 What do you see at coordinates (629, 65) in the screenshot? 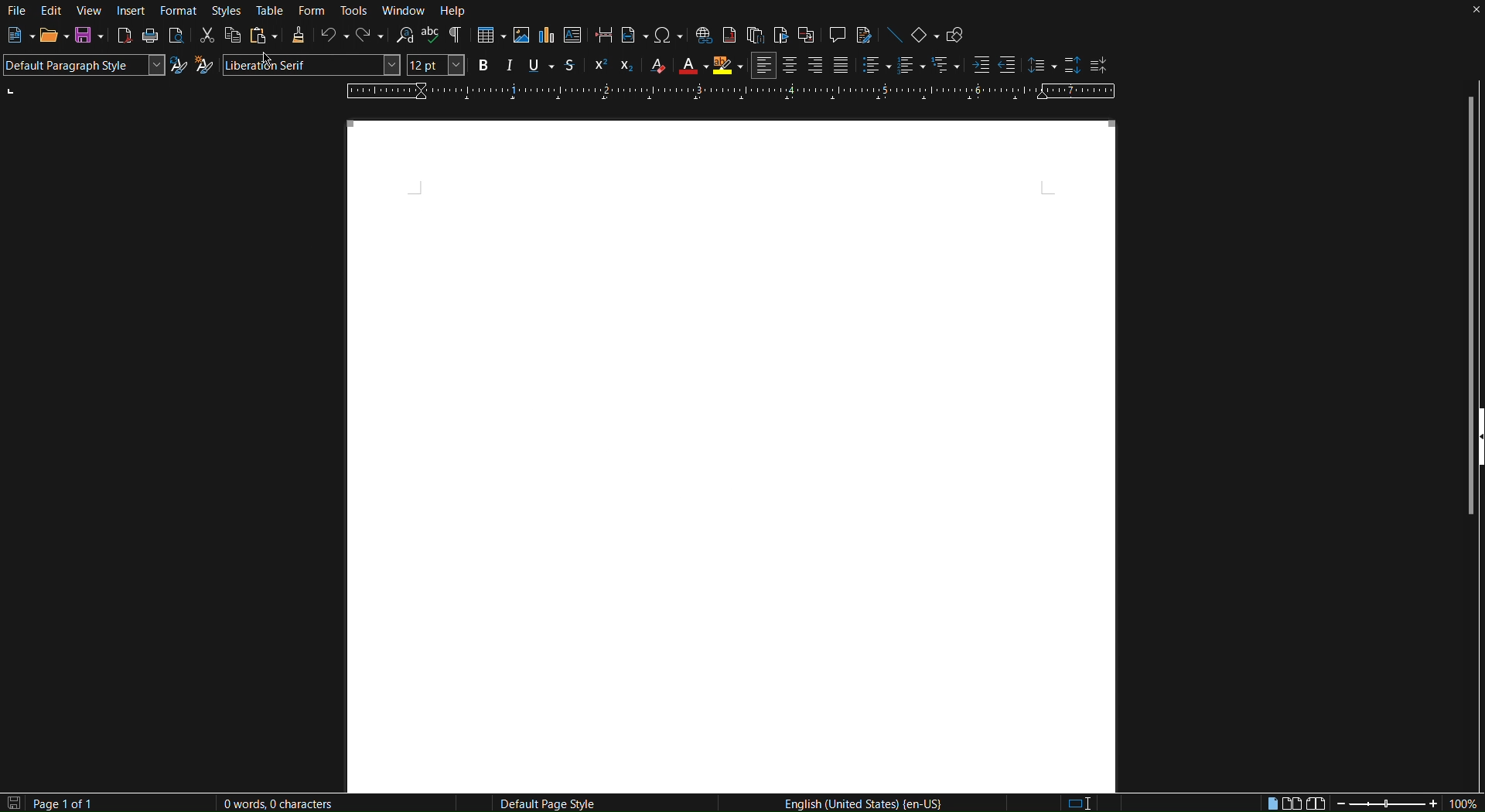
I see `Subscript` at bounding box center [629, 65].